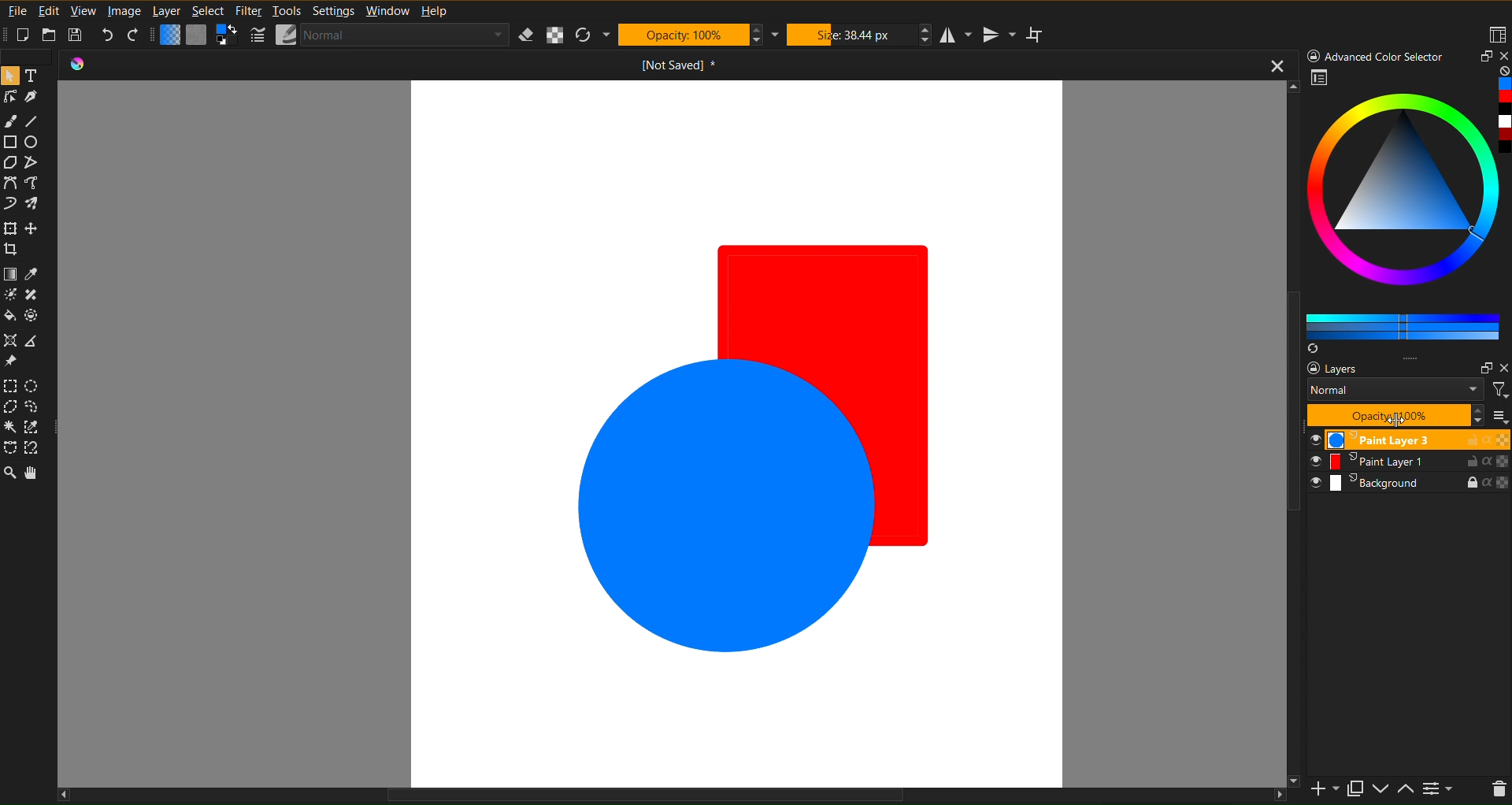  What do you see at coordinates (37, 184) in the screenshot?
I see `Curve Tool` at bounding box center [37, 184].